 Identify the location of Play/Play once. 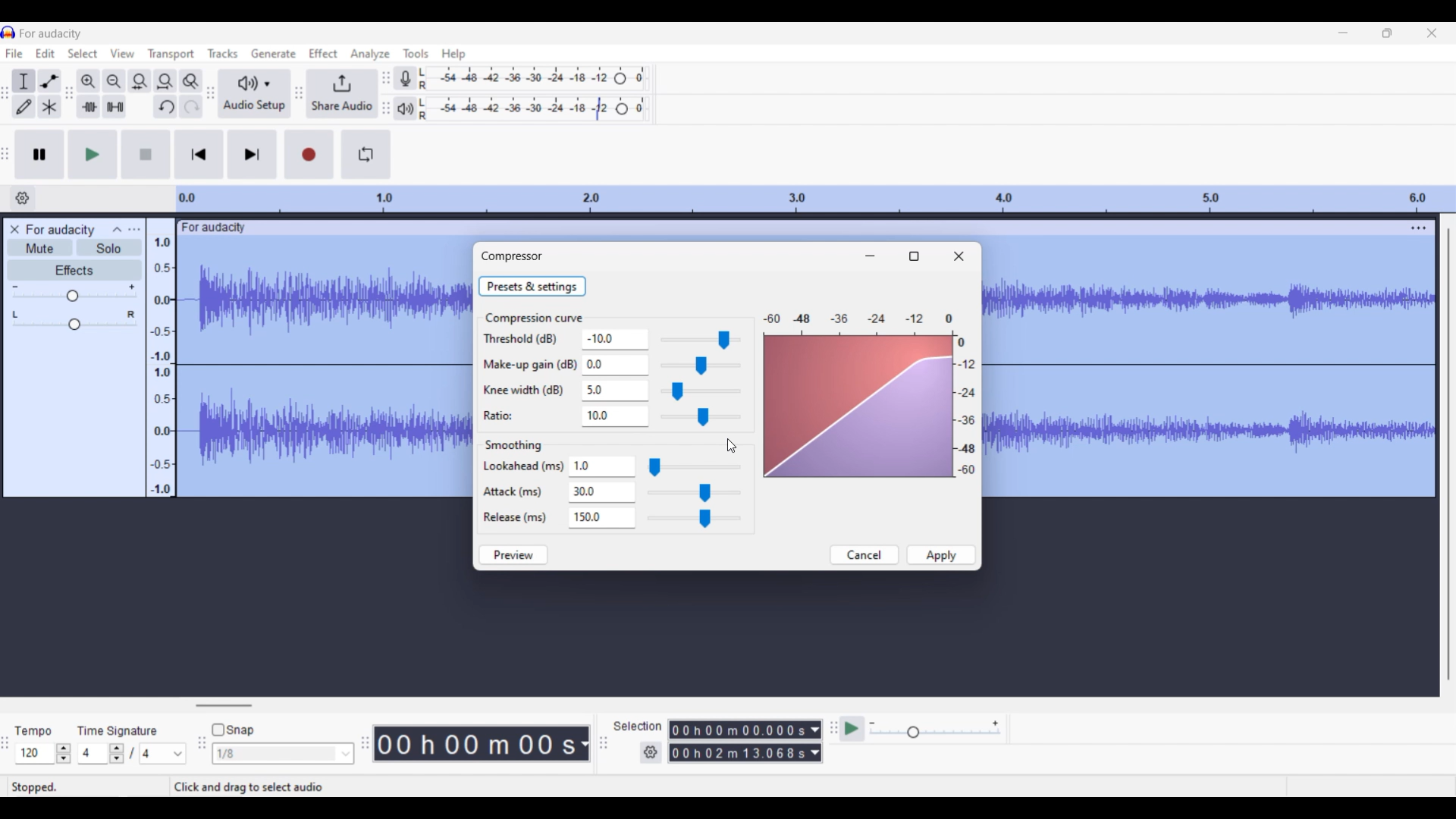
(93, 155).